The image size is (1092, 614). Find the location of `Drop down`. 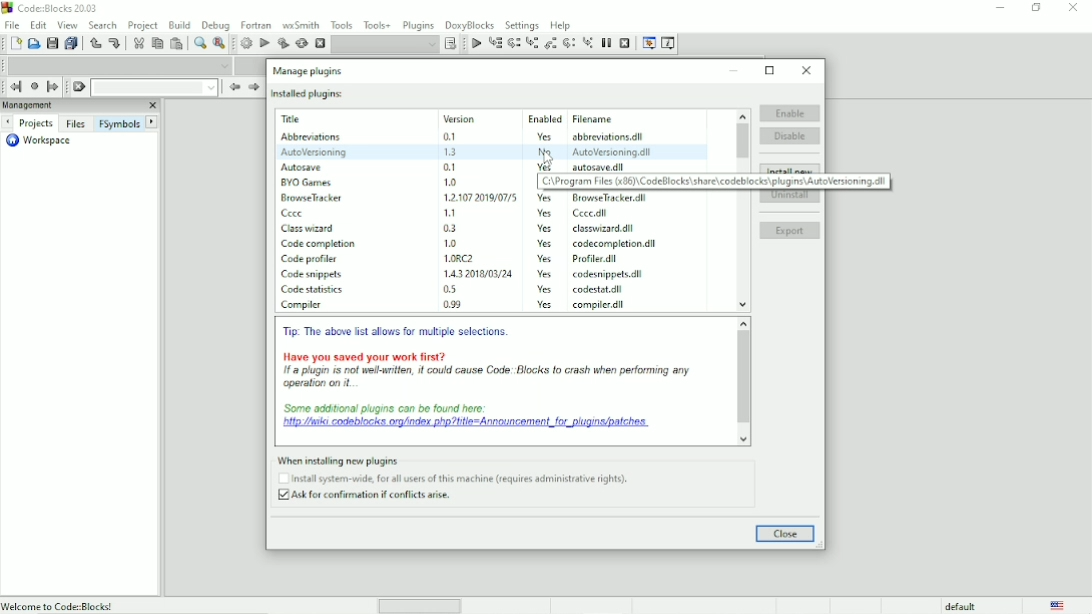

Drop down is located at coordinates (154, 87).